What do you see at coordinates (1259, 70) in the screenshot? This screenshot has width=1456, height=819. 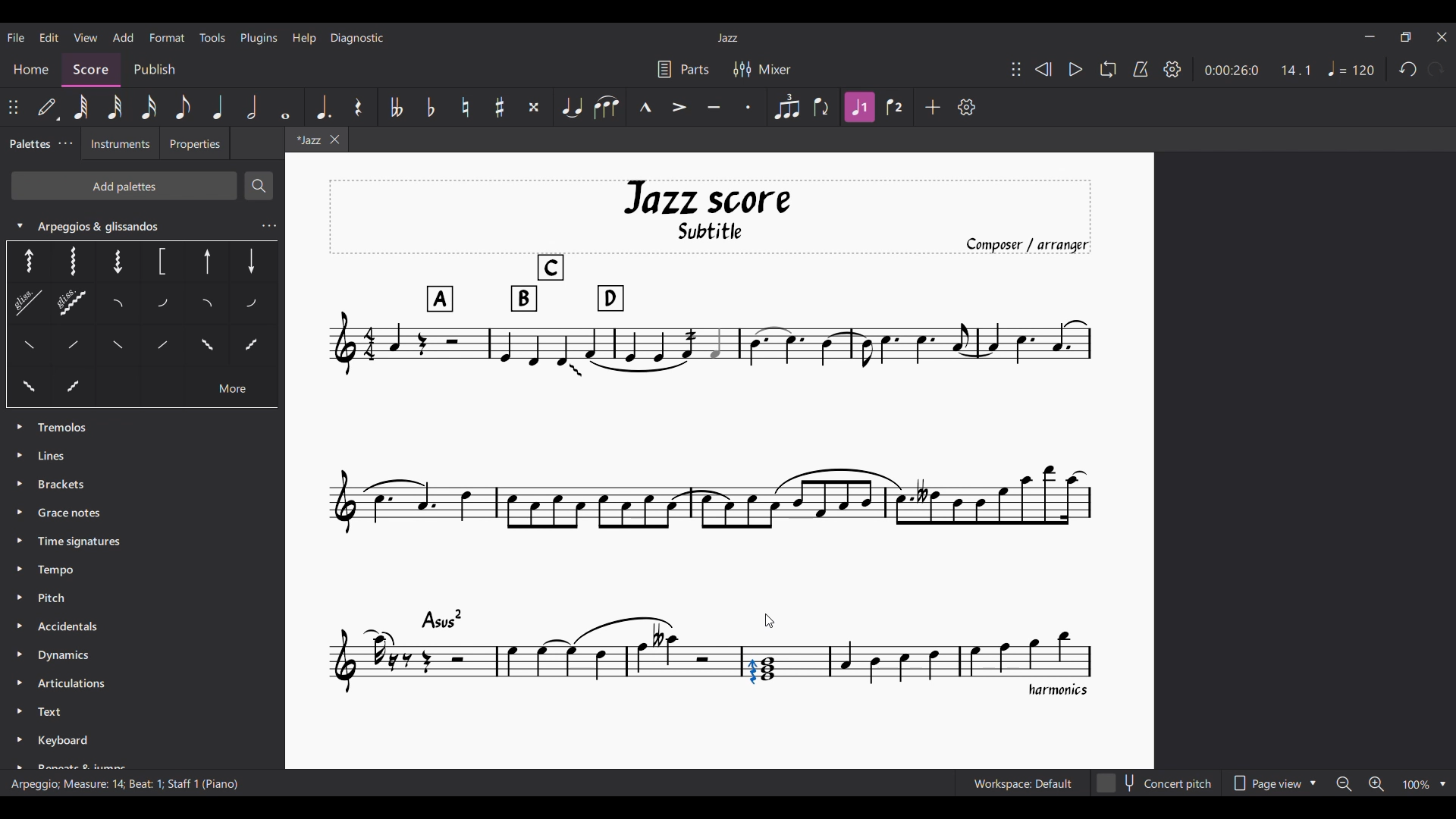 I see `Duration and ratio changed` at bounding box center [1259, 70].